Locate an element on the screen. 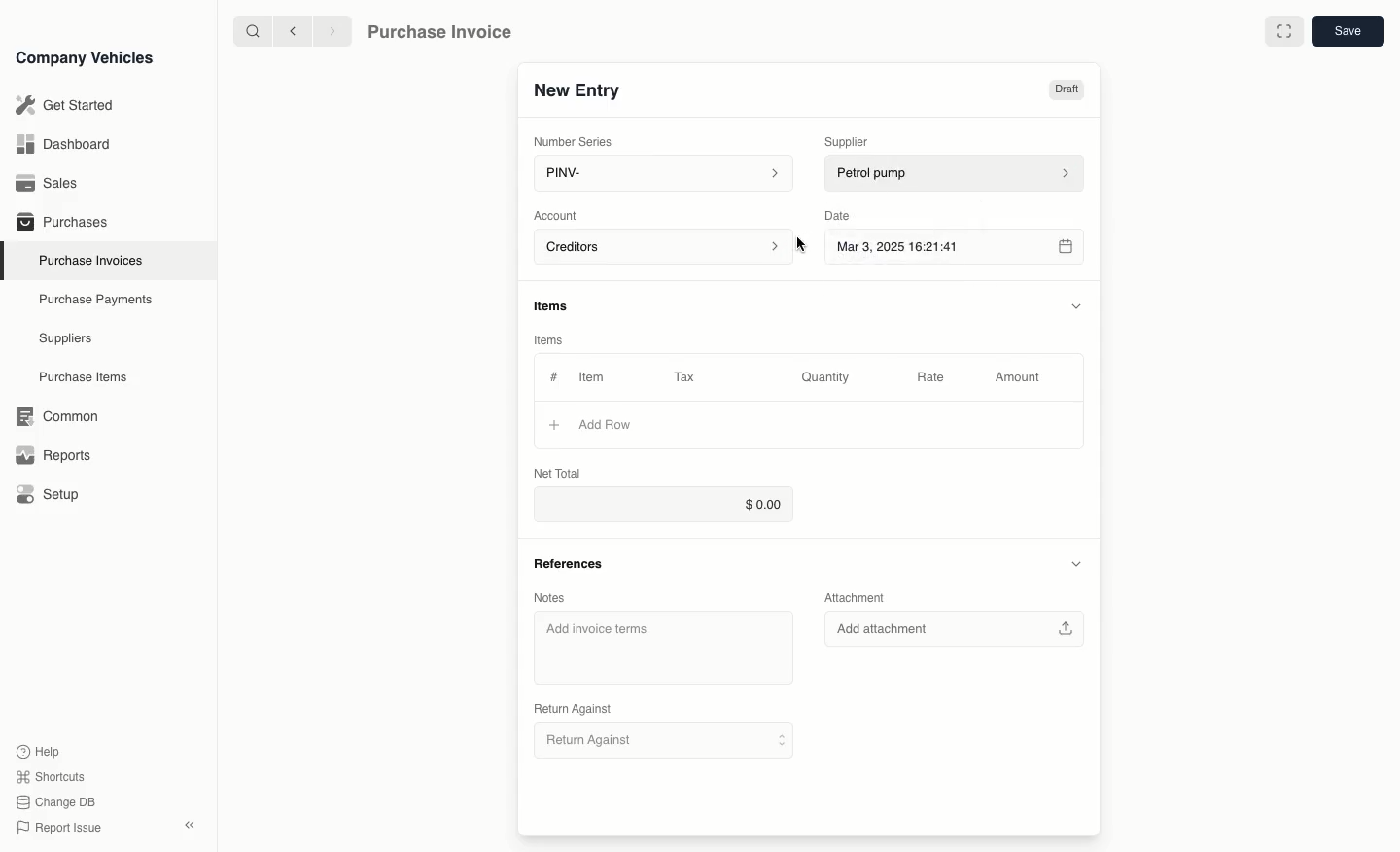 Image resolution: width=1400 pixels, height=852 pixels. Draft is located at coordinates (1065, 88).